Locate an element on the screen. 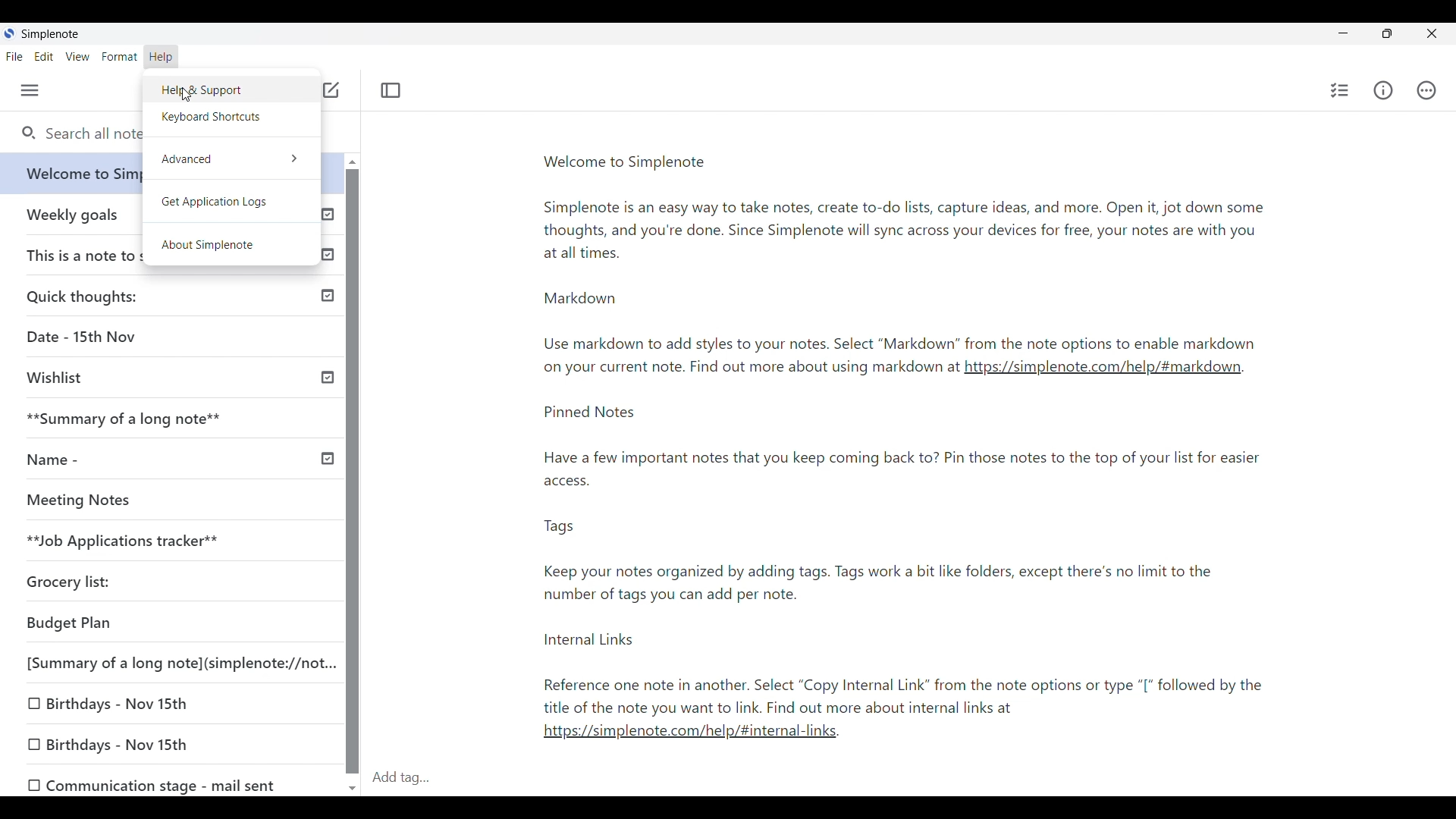 This screenshot has width=1456, height=819. https://simplenote.com/help/#markdown is located at coordinates (1106, 369).